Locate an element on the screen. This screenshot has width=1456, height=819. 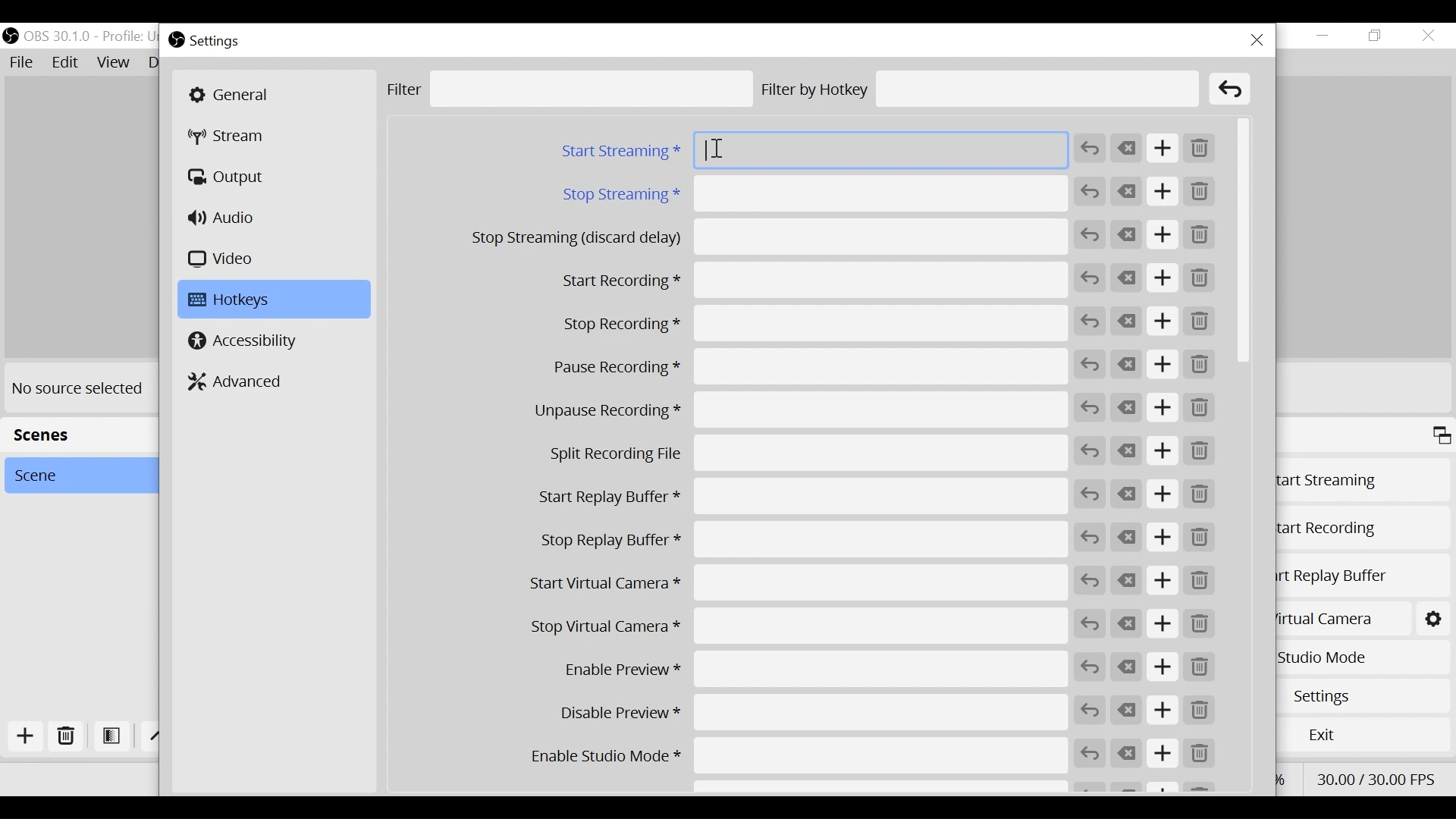
Start Replay Buffer is located at coordinates (798, 496).